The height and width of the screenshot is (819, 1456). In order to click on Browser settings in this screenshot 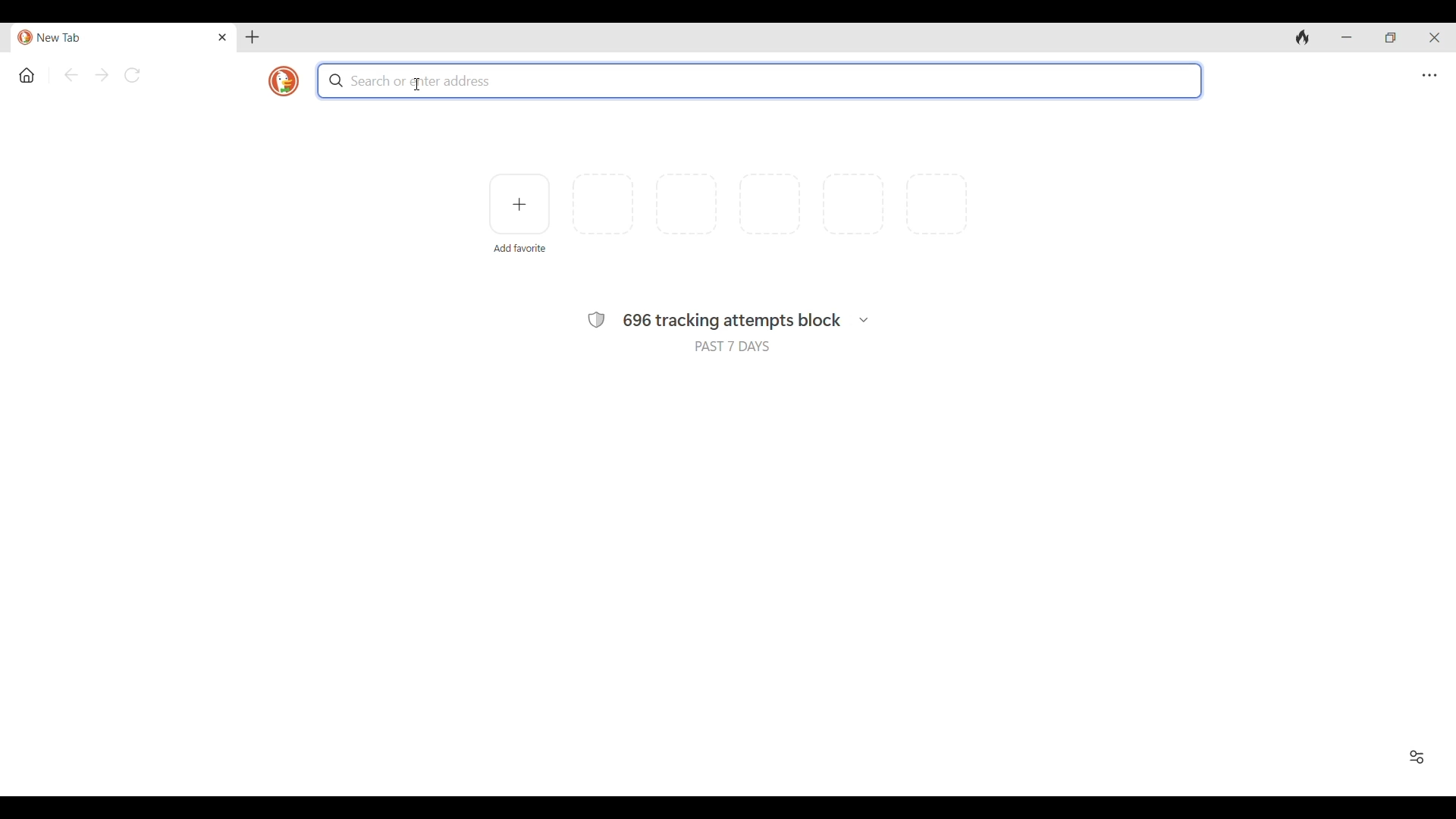, I will do `click(1429, 76)`.